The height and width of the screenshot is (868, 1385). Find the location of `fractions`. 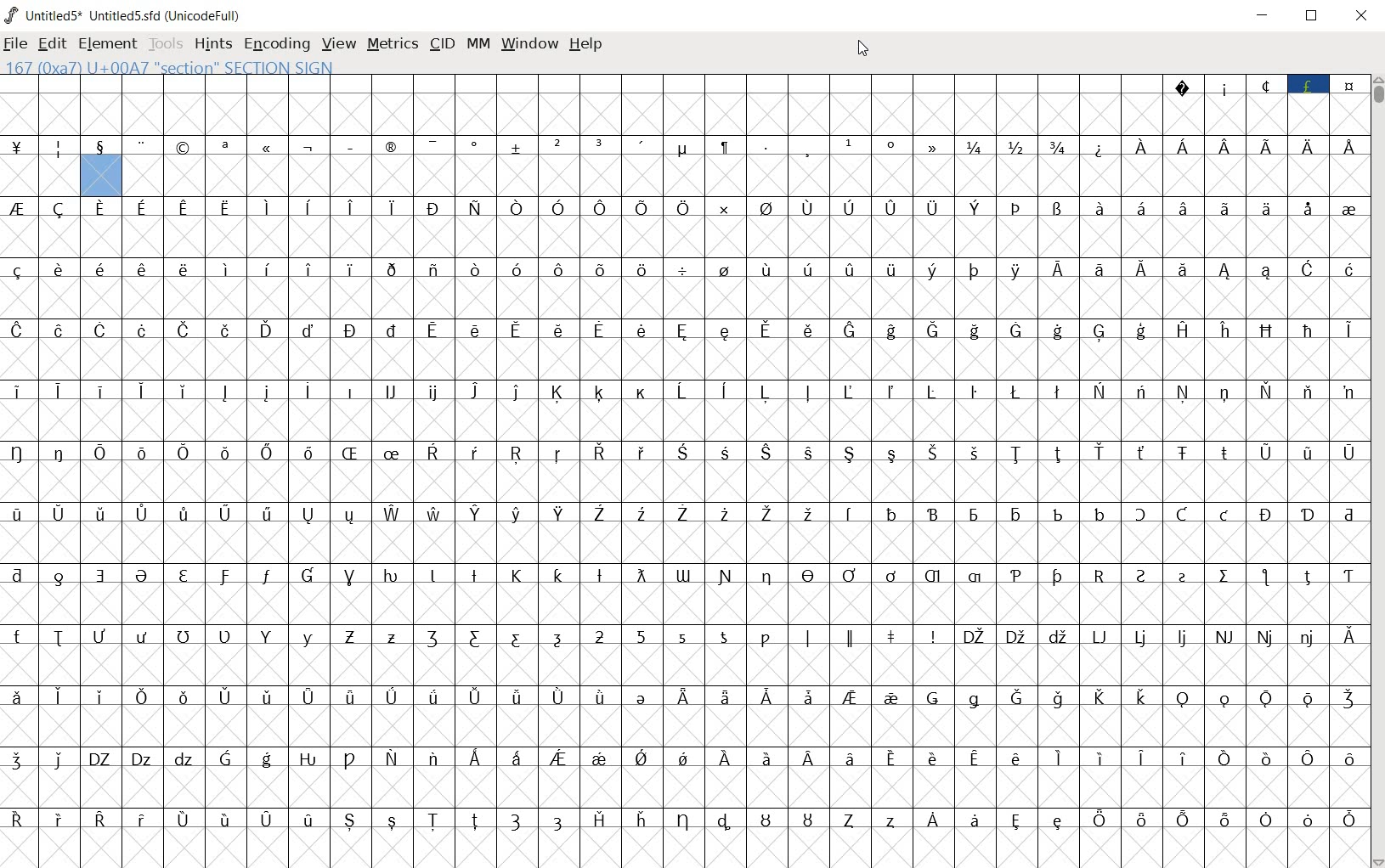

fractions is located at coordinates (1019, 146).